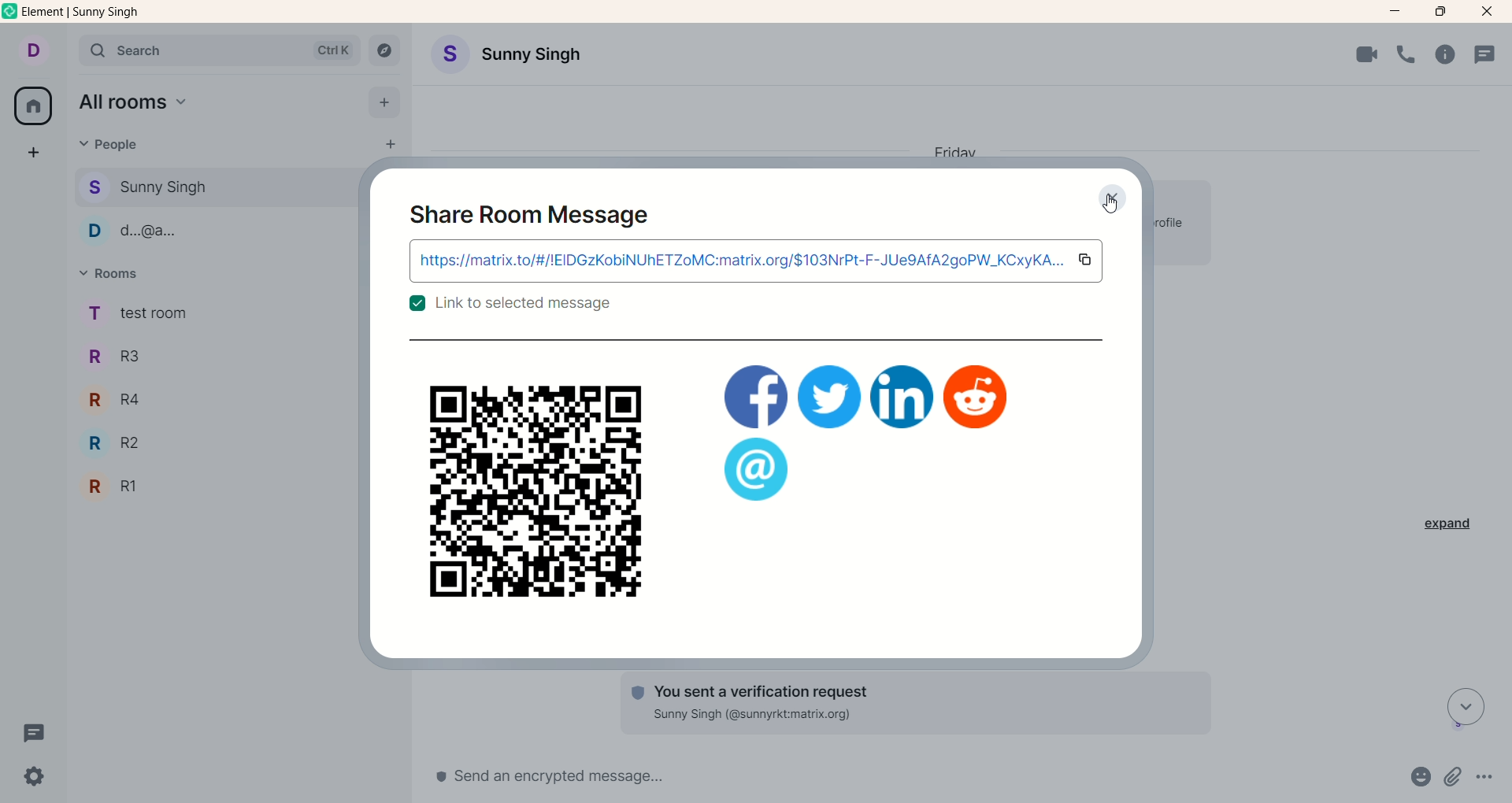  What do you see at coordinates (1397, 9) in the screenshot?
I see `minimize` at bounding box center [1397, 9].